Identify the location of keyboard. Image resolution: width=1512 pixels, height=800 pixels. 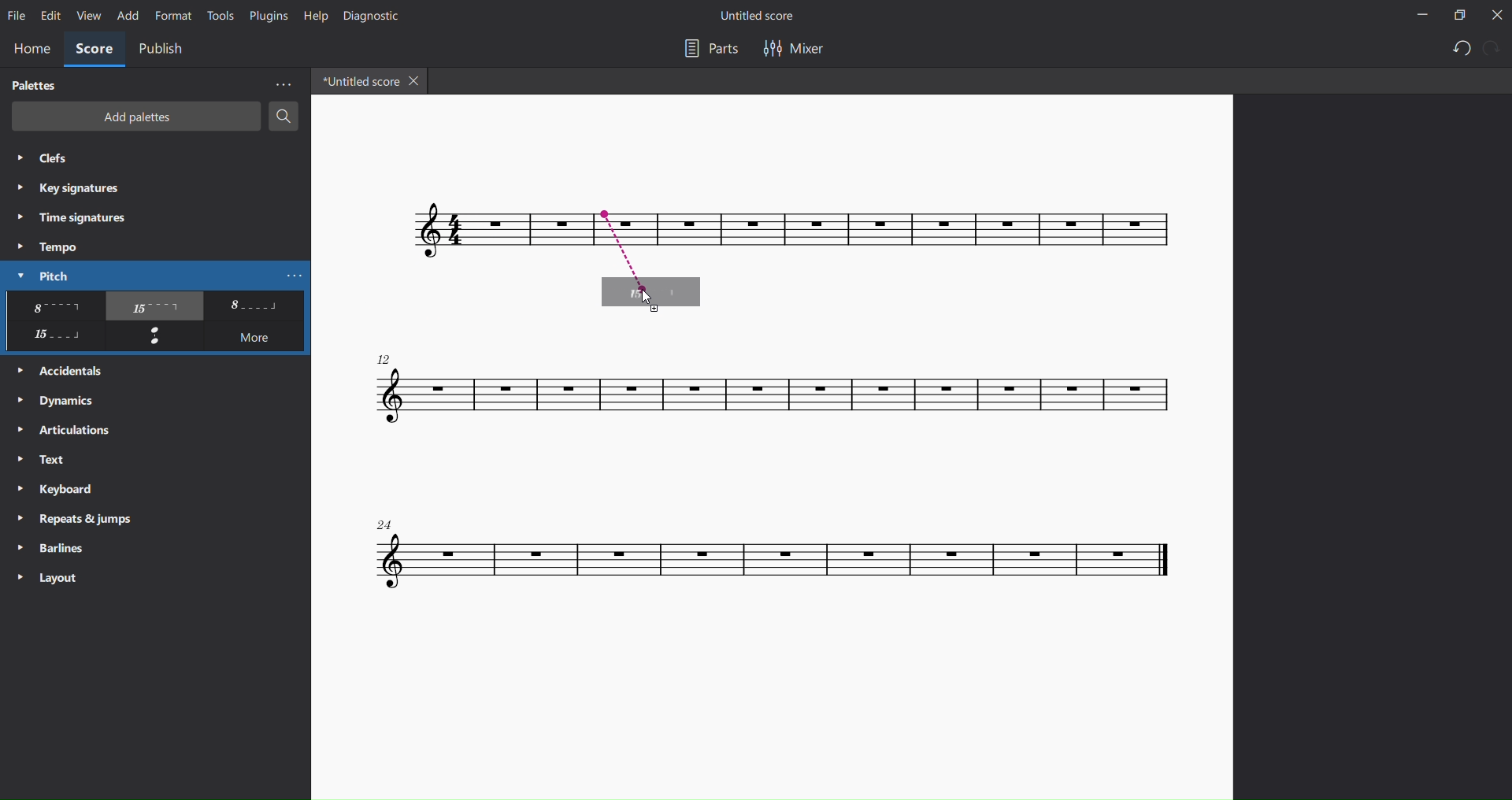
(60, 491).